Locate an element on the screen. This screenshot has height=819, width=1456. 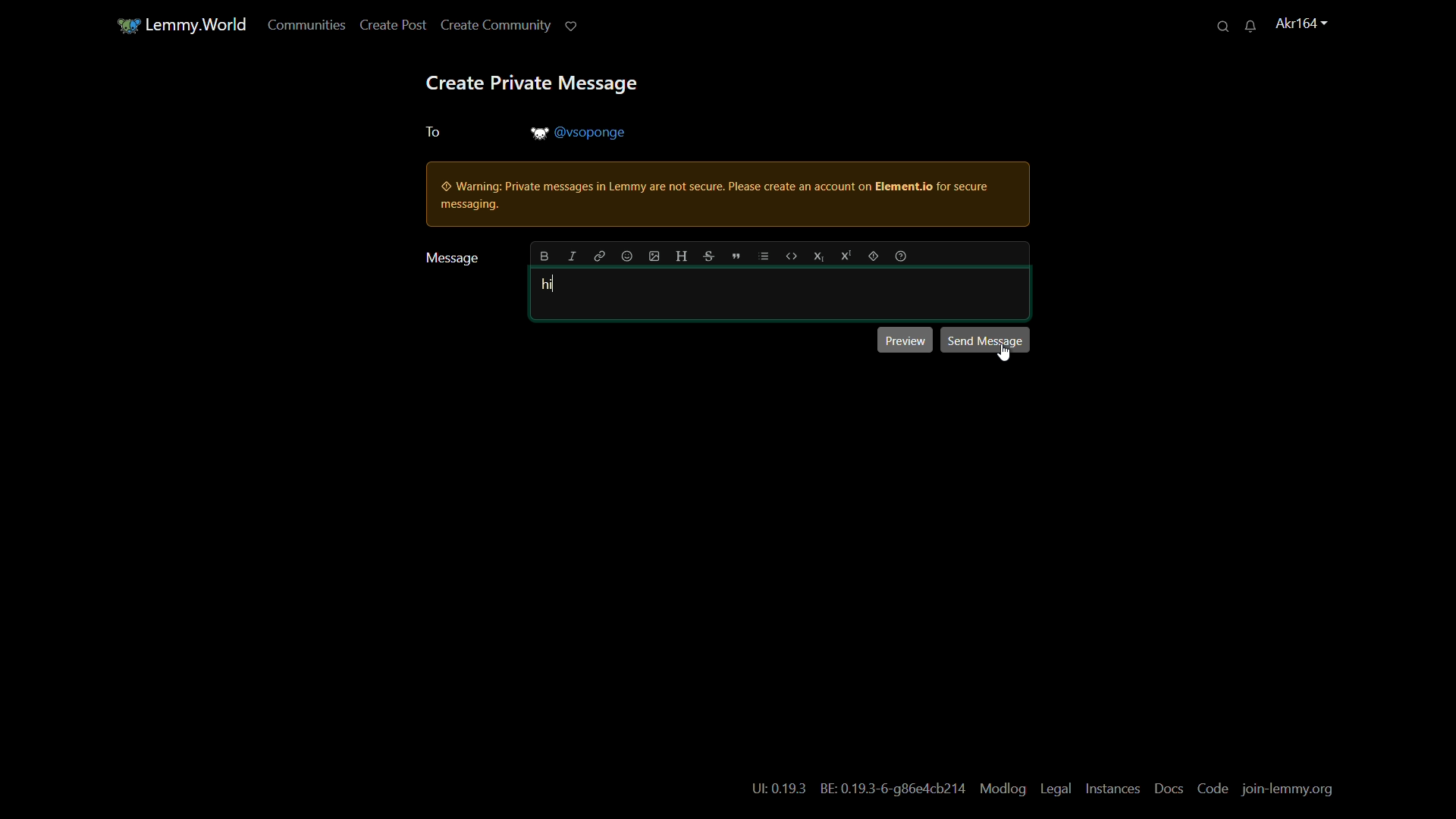
message is located at coordinates (450, 257).